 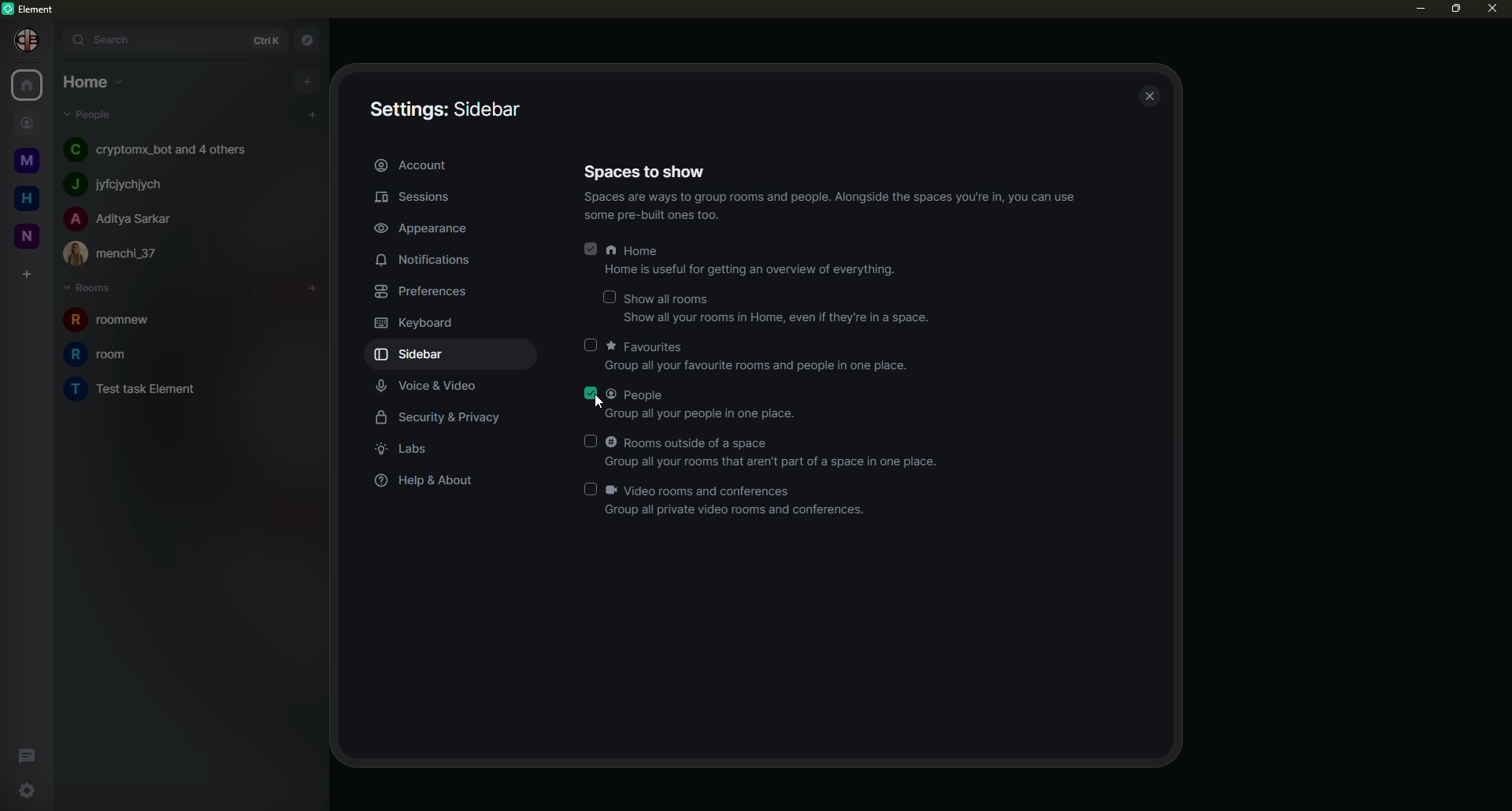 What do you see at coordinates (762, 356) in the screenshot?
I see `favorites` at bounding box center [762, 356].